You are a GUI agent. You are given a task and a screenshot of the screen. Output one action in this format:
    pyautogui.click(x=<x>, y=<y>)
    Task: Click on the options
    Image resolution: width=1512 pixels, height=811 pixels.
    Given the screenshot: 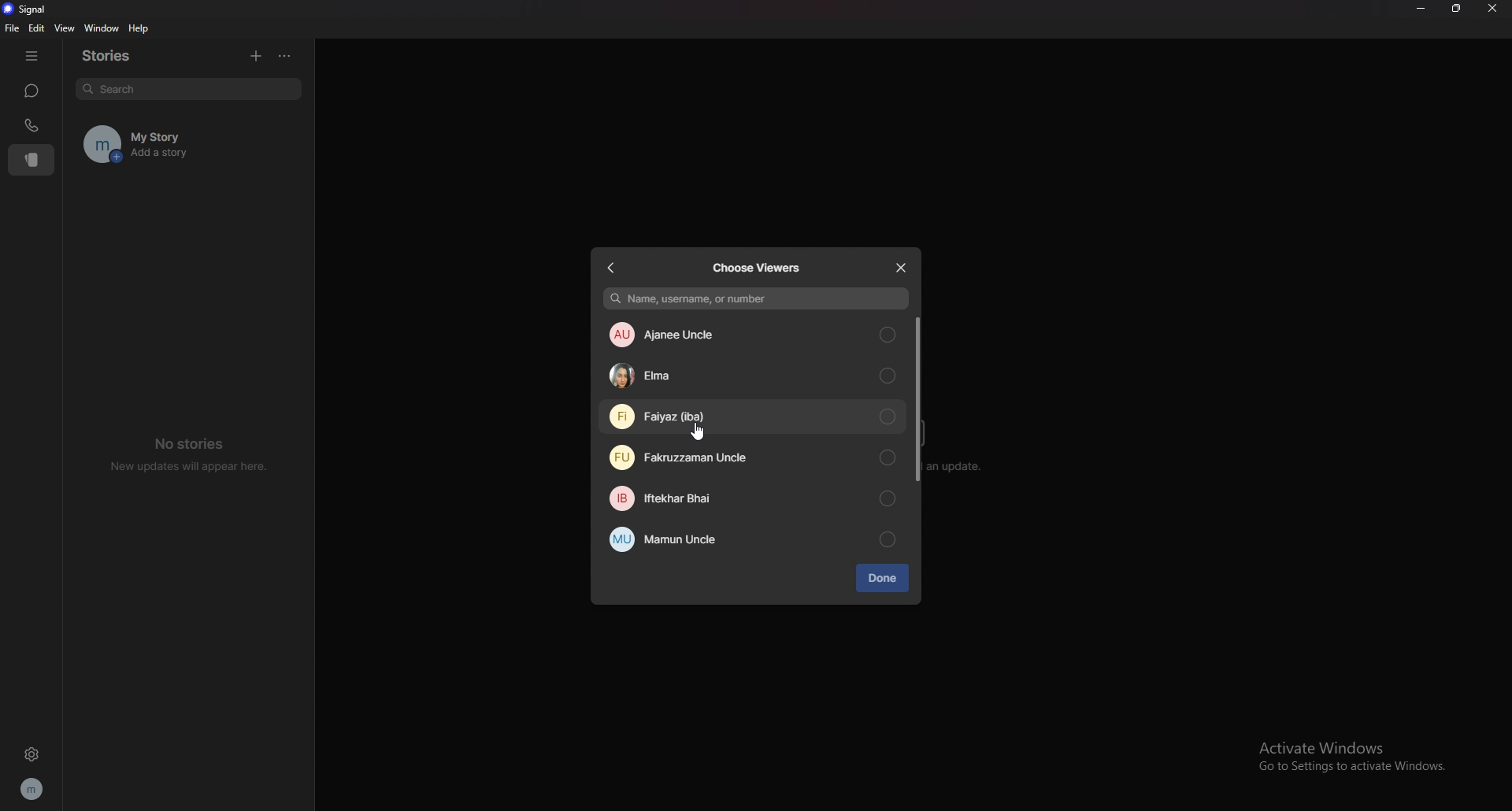 What is the action you would take?
    pyautogui.click(x=288, y=54)
    